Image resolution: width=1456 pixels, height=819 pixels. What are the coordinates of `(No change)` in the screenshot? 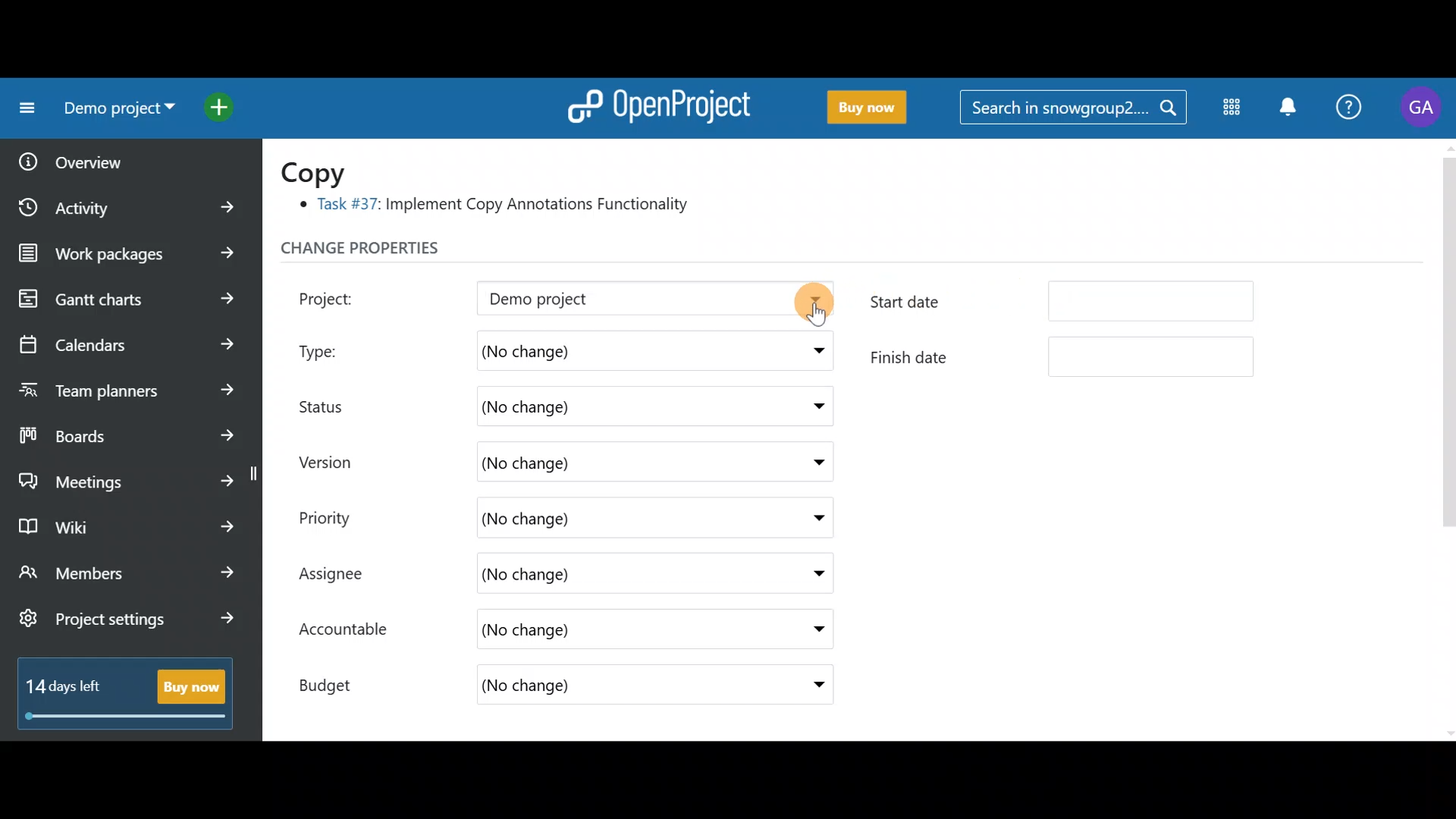 It's located at (584, 407).